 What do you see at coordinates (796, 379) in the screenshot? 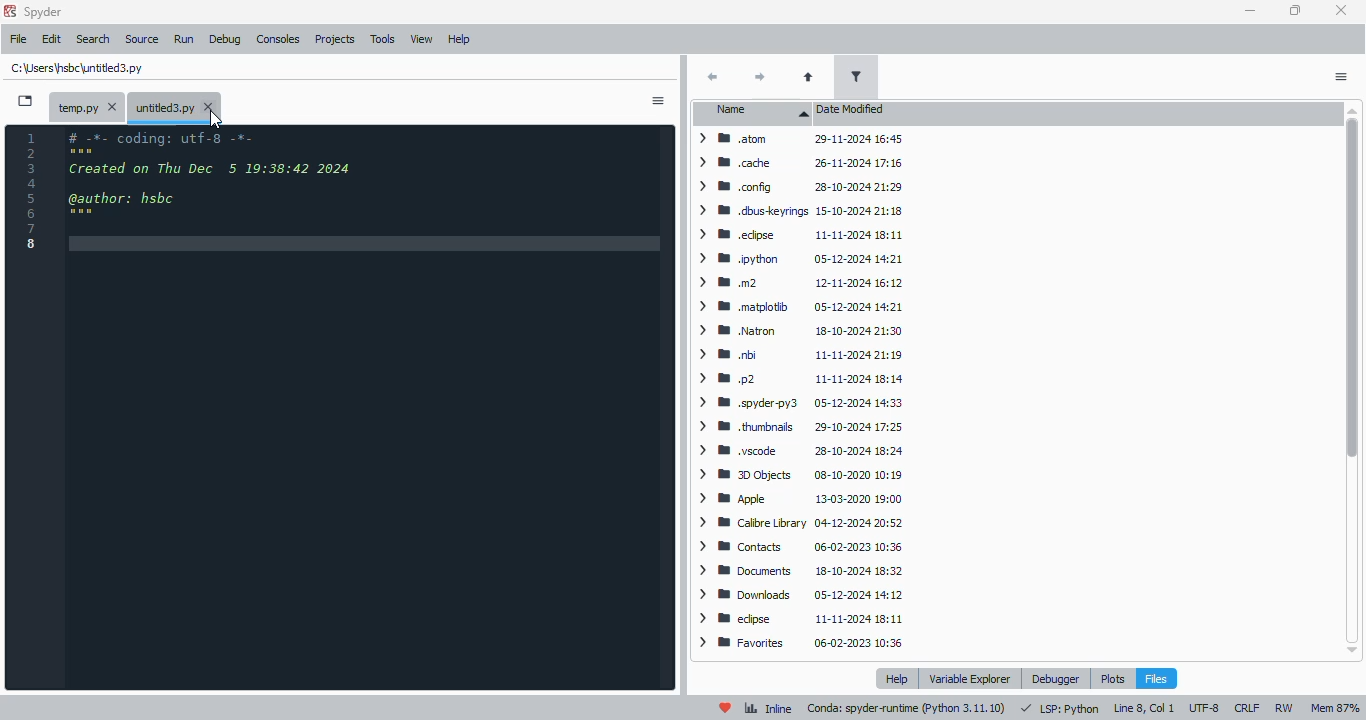
I see `> mp2 11-11-2024 18:14` at bounding box center [796, 379].